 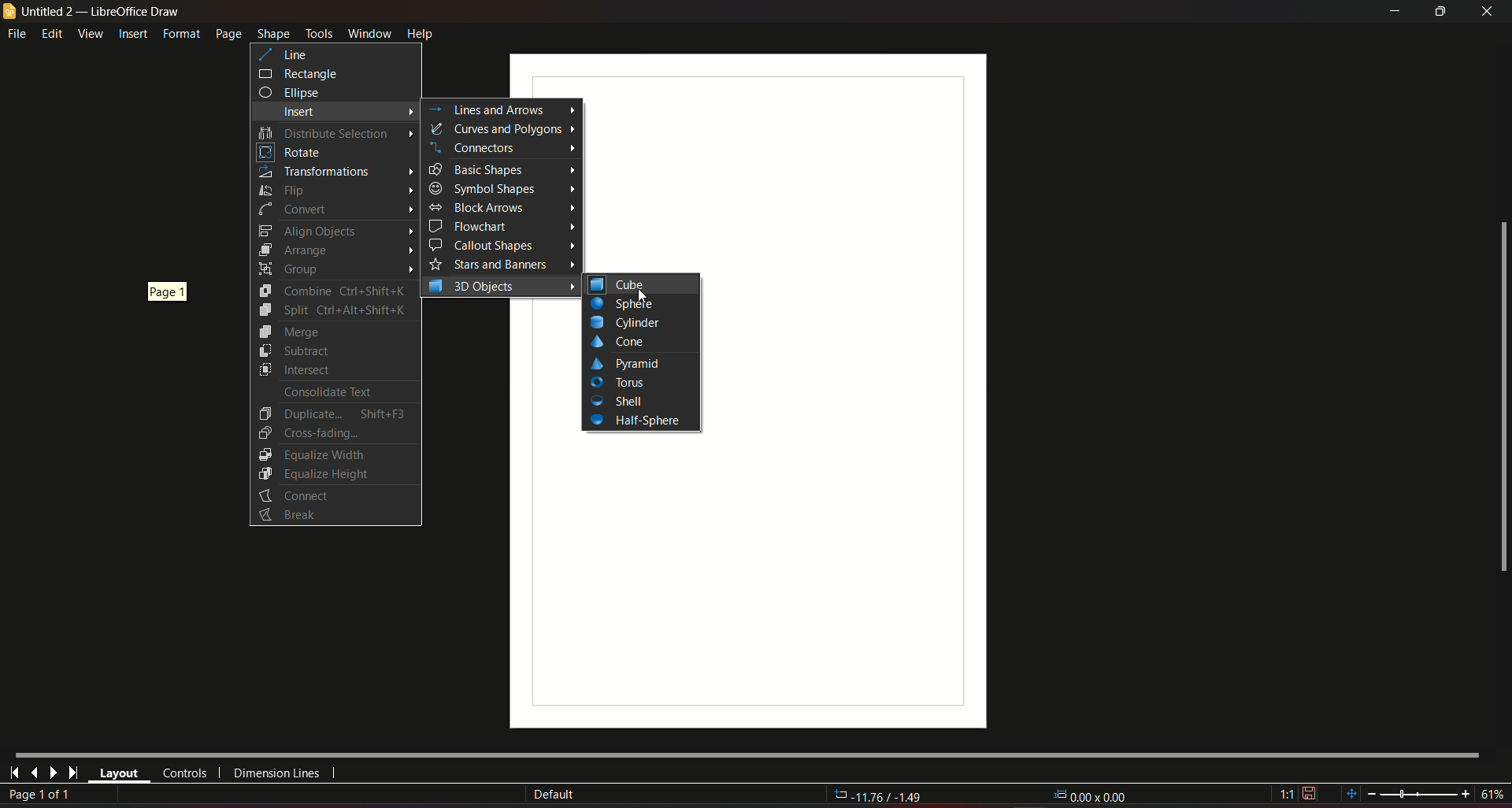 I want to click on Arrow, so click(x=576, y=129).